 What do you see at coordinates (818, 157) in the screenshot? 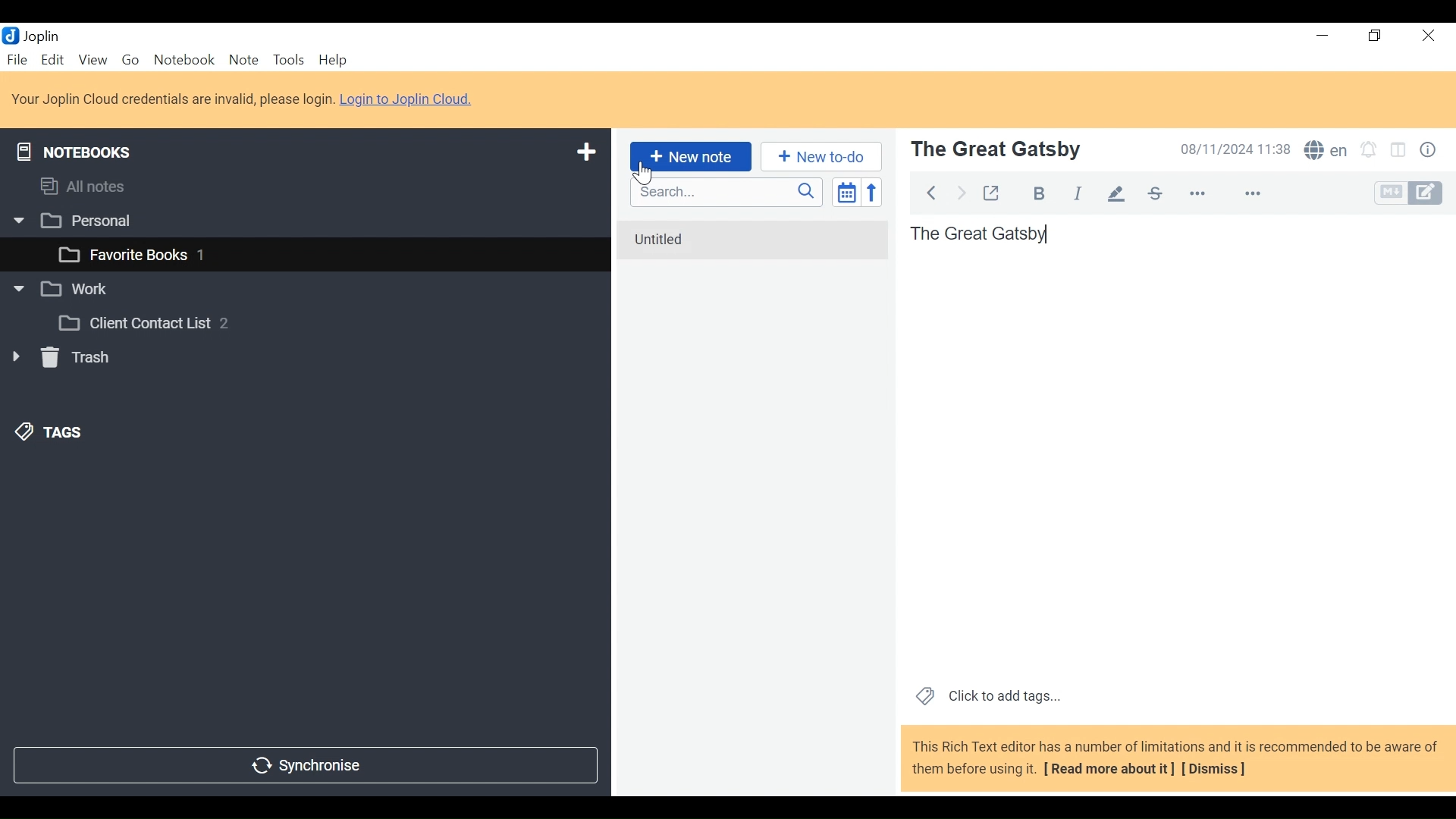
I see `New to do` at bounding box center [818, 157].